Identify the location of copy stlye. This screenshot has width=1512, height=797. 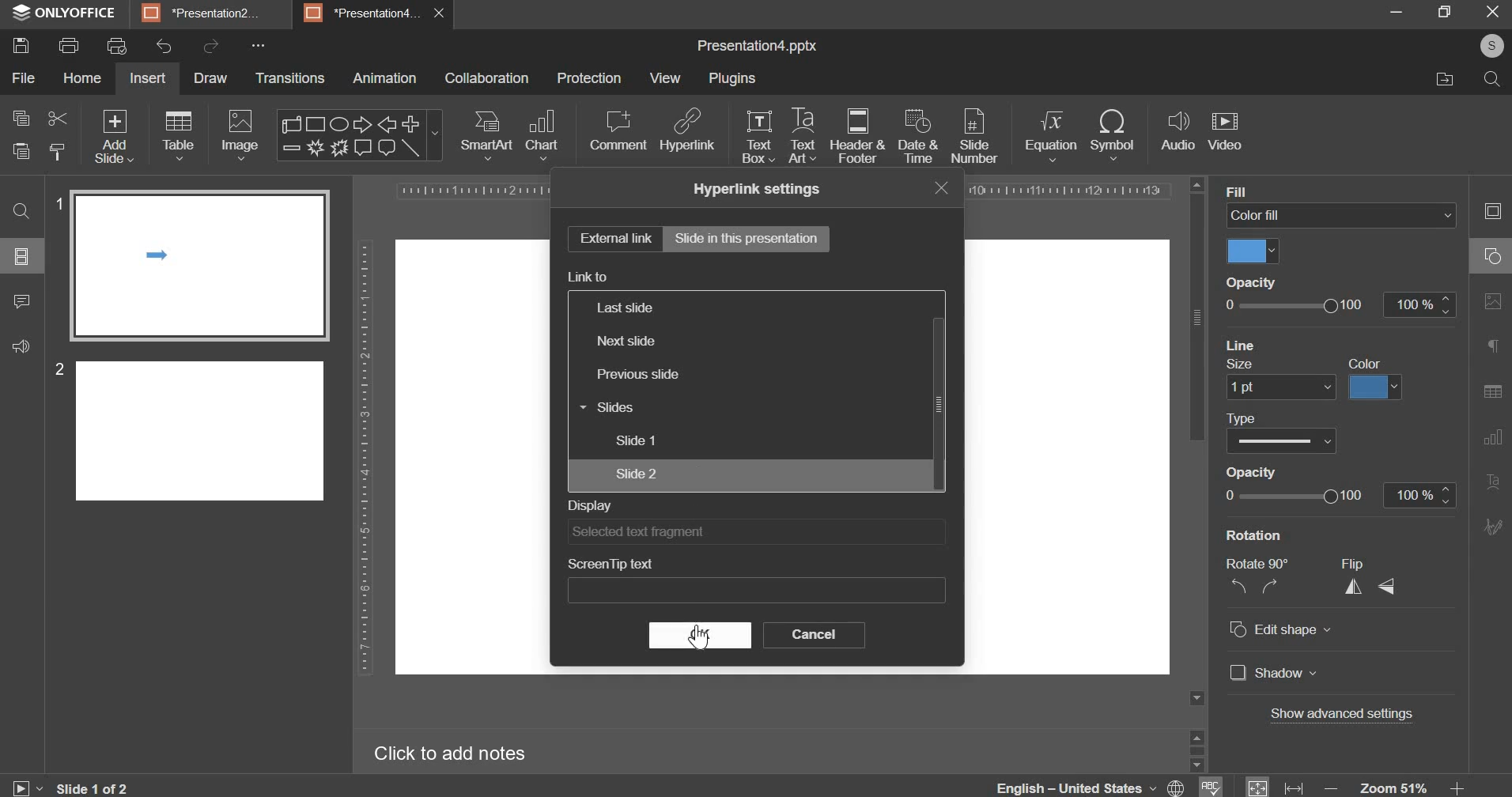
(56, 150).